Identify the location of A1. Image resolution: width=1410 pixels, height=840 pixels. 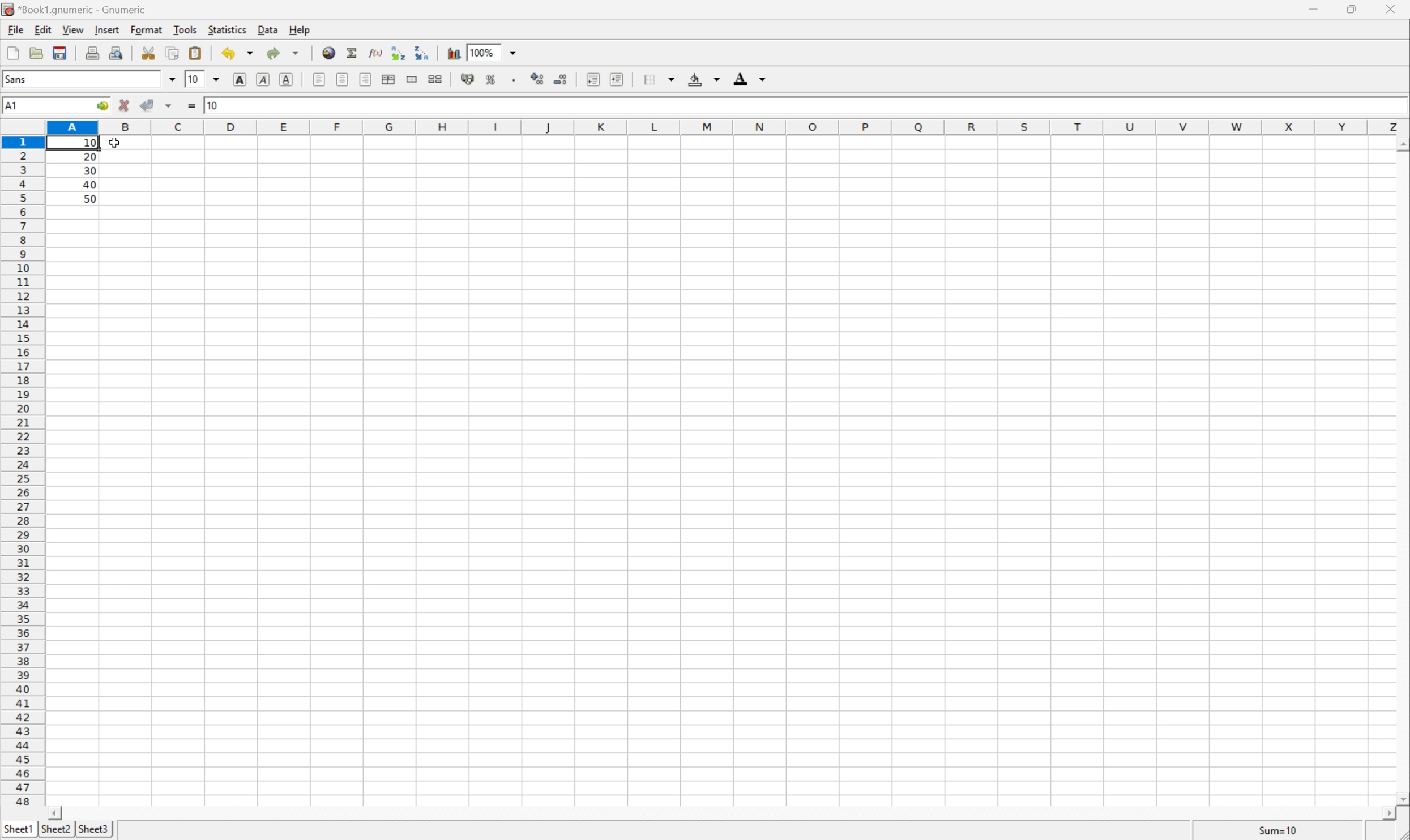
(14, 106).